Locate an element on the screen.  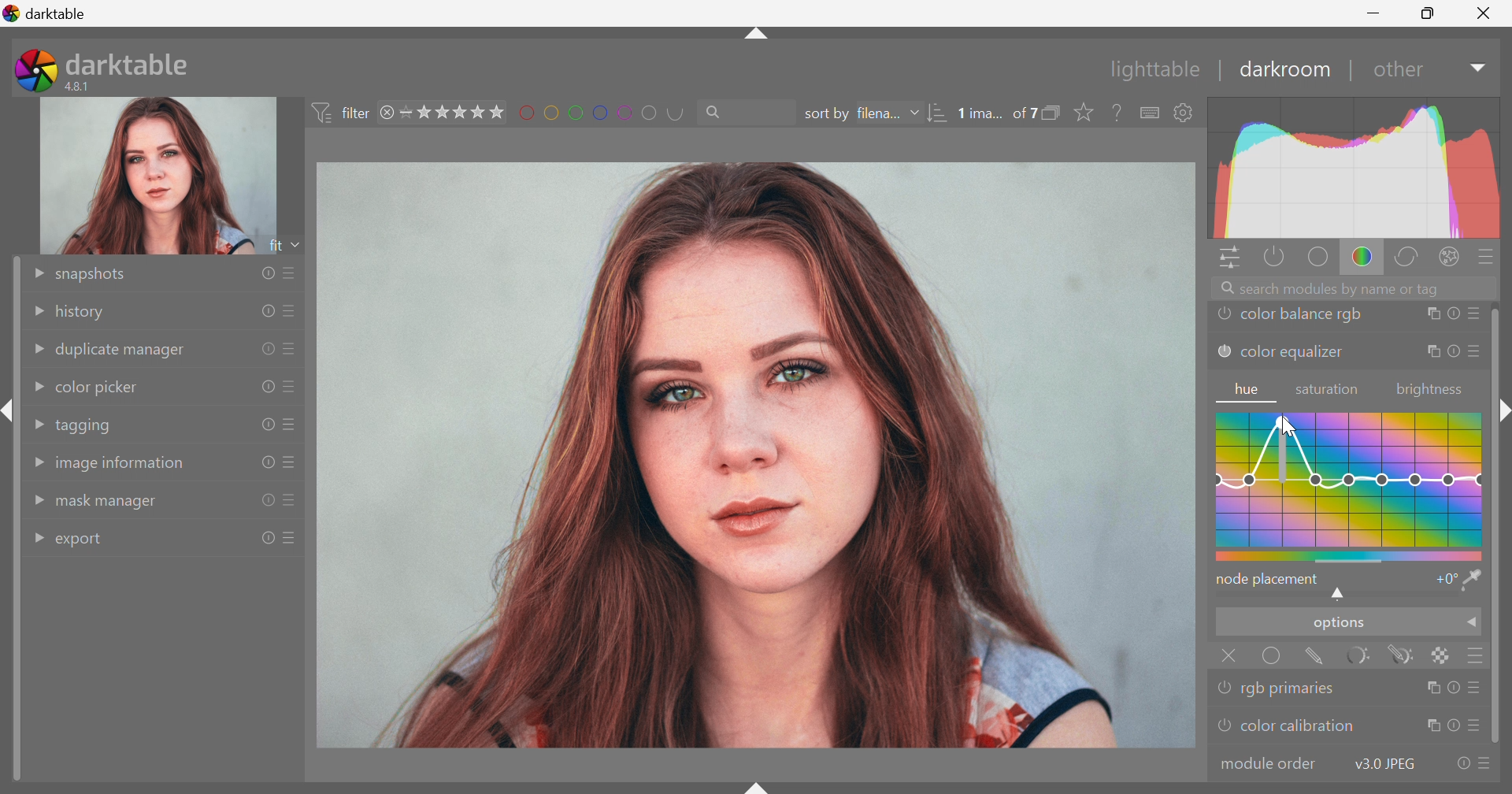
presets is located at coordinates (292, 425).